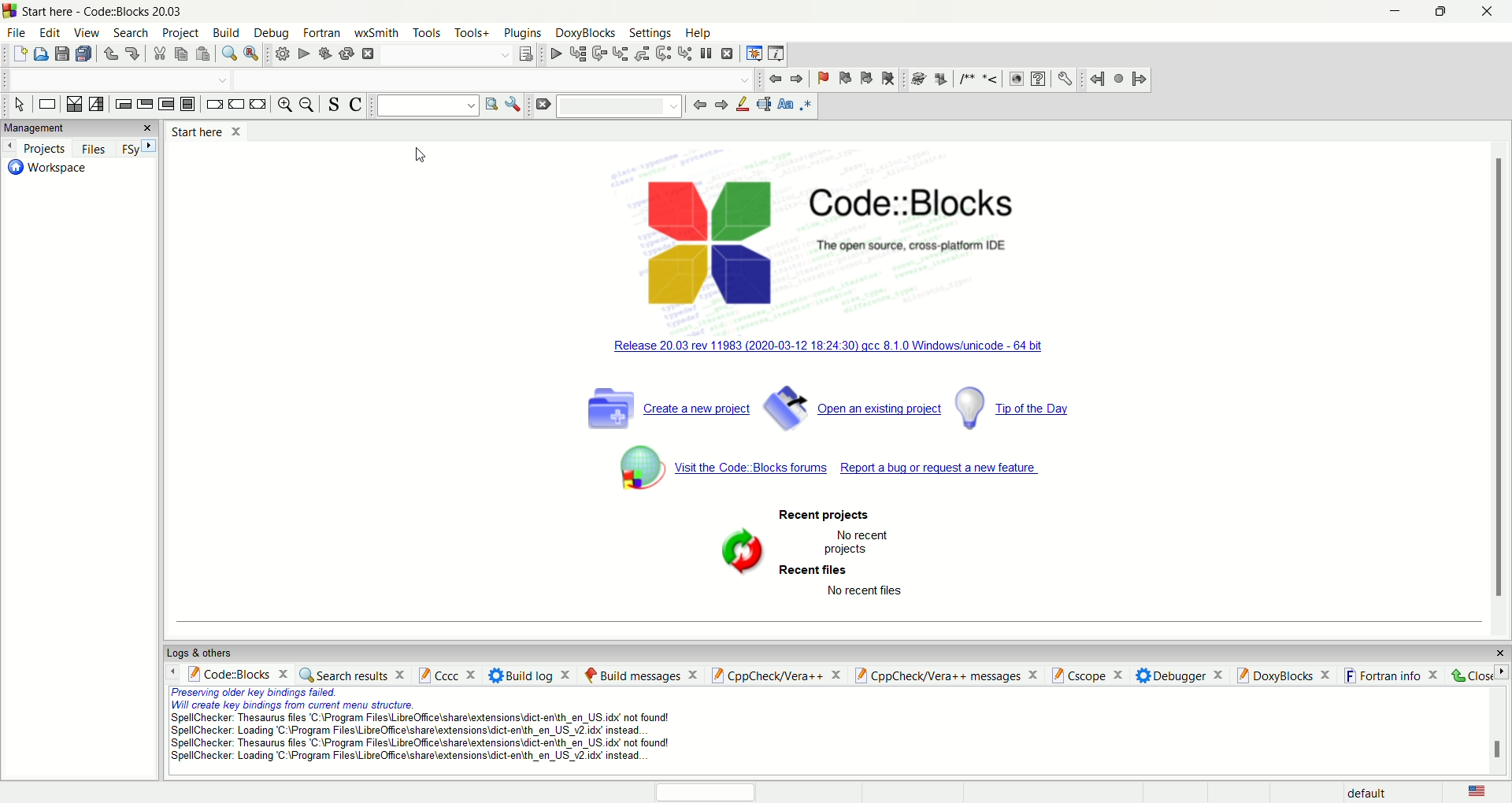 The height and width of the screenshot is (803, 1512). Describe the element at coordinates (36, 148) in the screenshot. I see `projects` at that location.